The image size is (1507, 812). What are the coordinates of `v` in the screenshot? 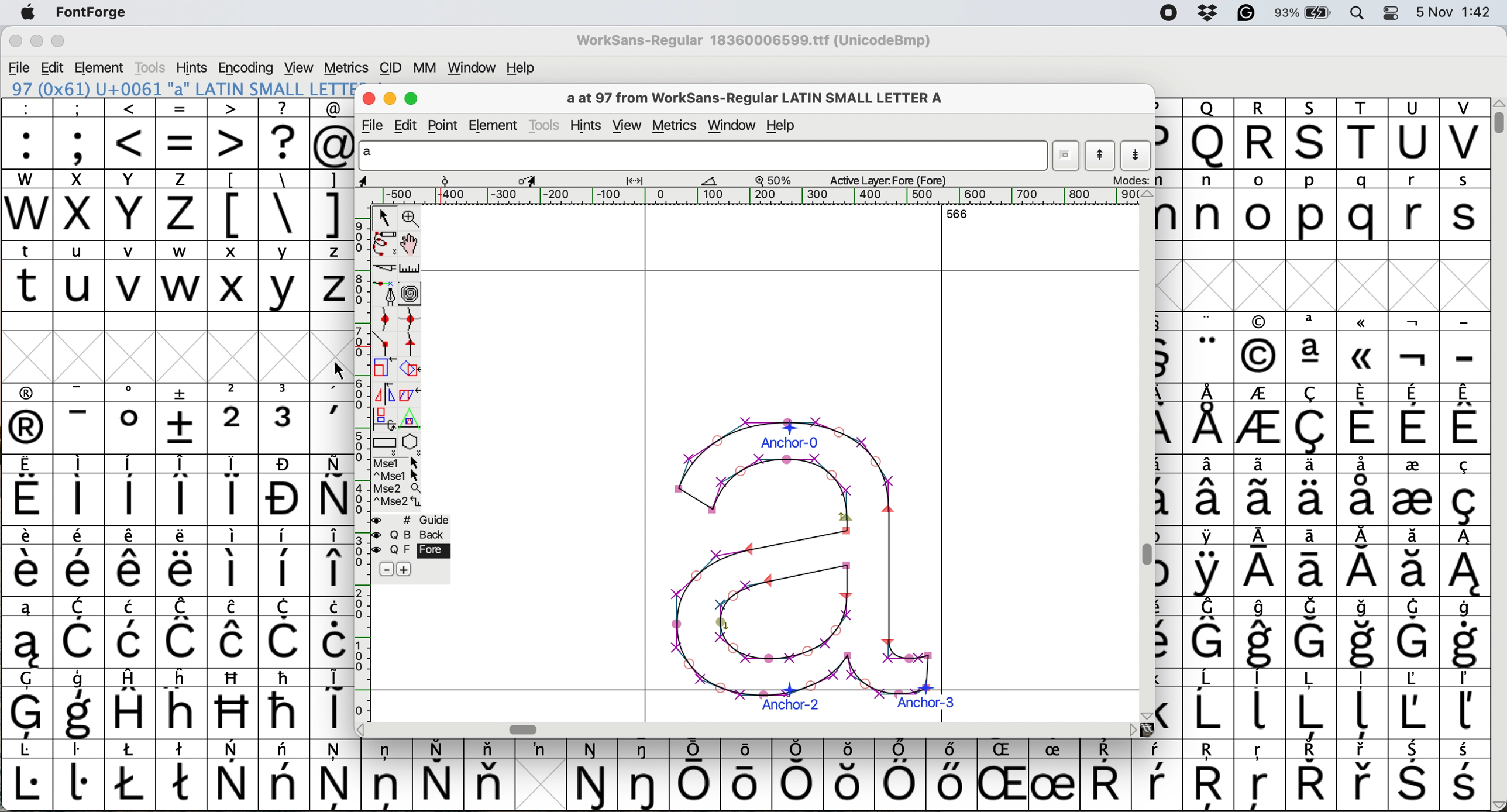 It's located at (130, 278).